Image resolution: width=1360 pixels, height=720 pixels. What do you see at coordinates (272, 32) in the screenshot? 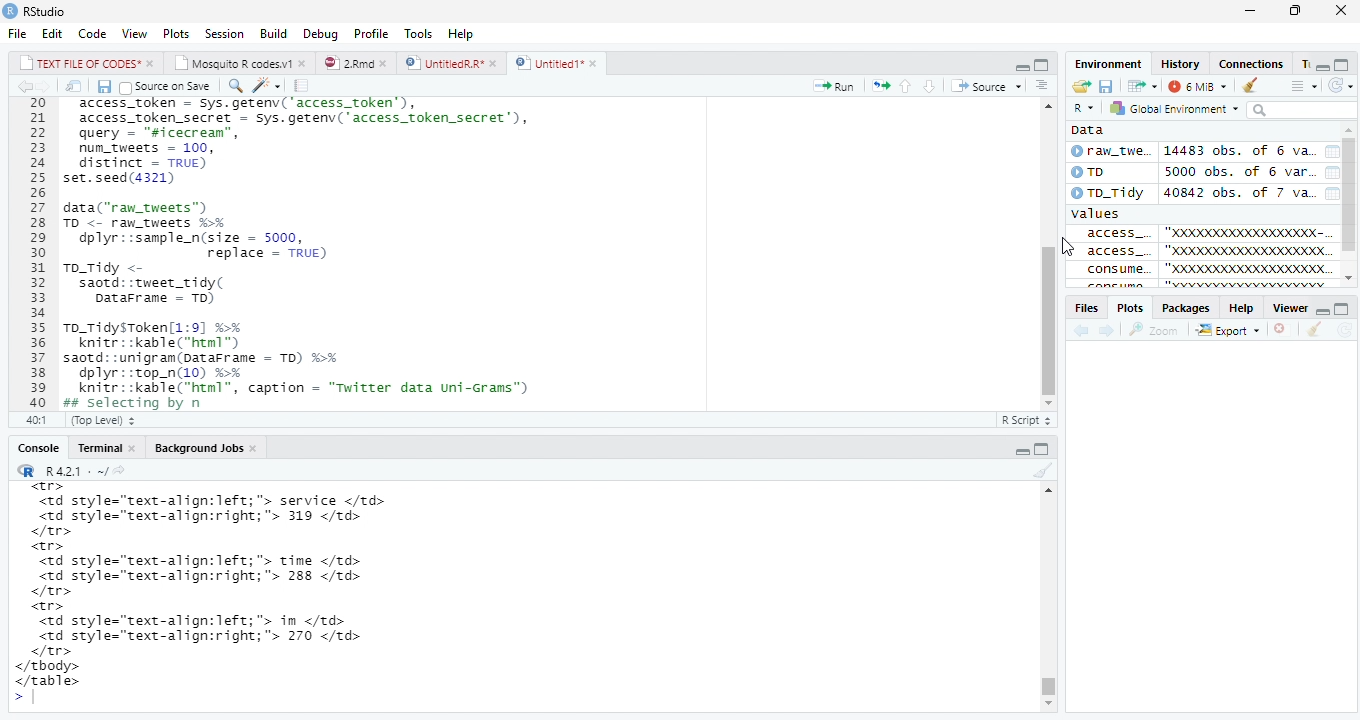
I see `Build` at bounding box center [272, 32].